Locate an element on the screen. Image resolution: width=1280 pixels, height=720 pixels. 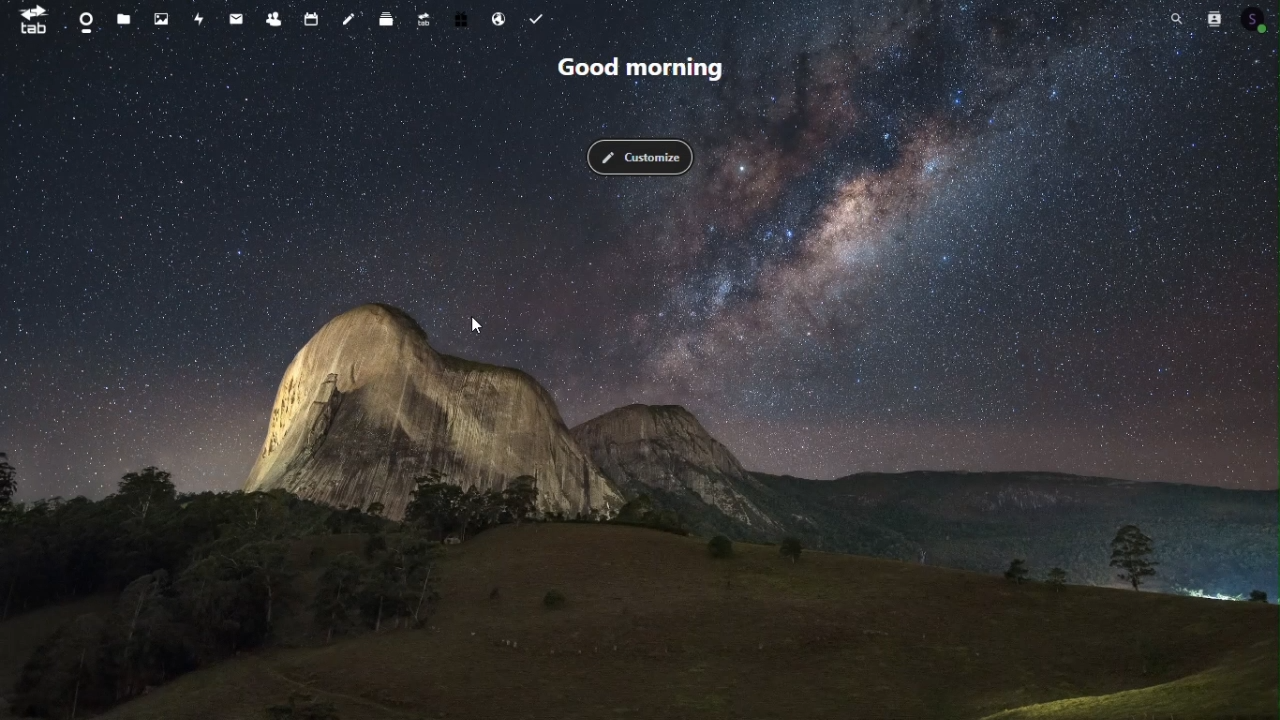
Email hosting is located at coordinates (501, 18).